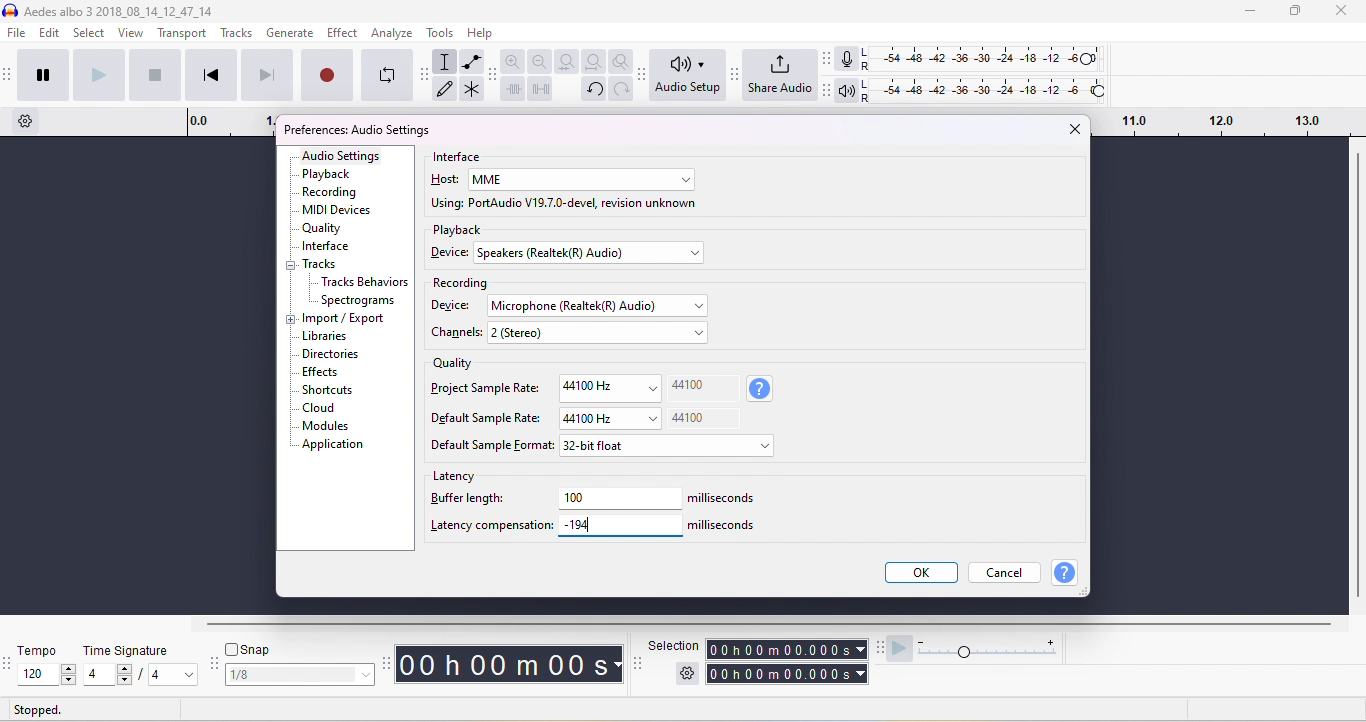 The width and height of the screenshot is (1366, 722). Describe the element at coordinates (828, 91) in the screenshot. I see `Audacity playback meter toolbar` at that location.